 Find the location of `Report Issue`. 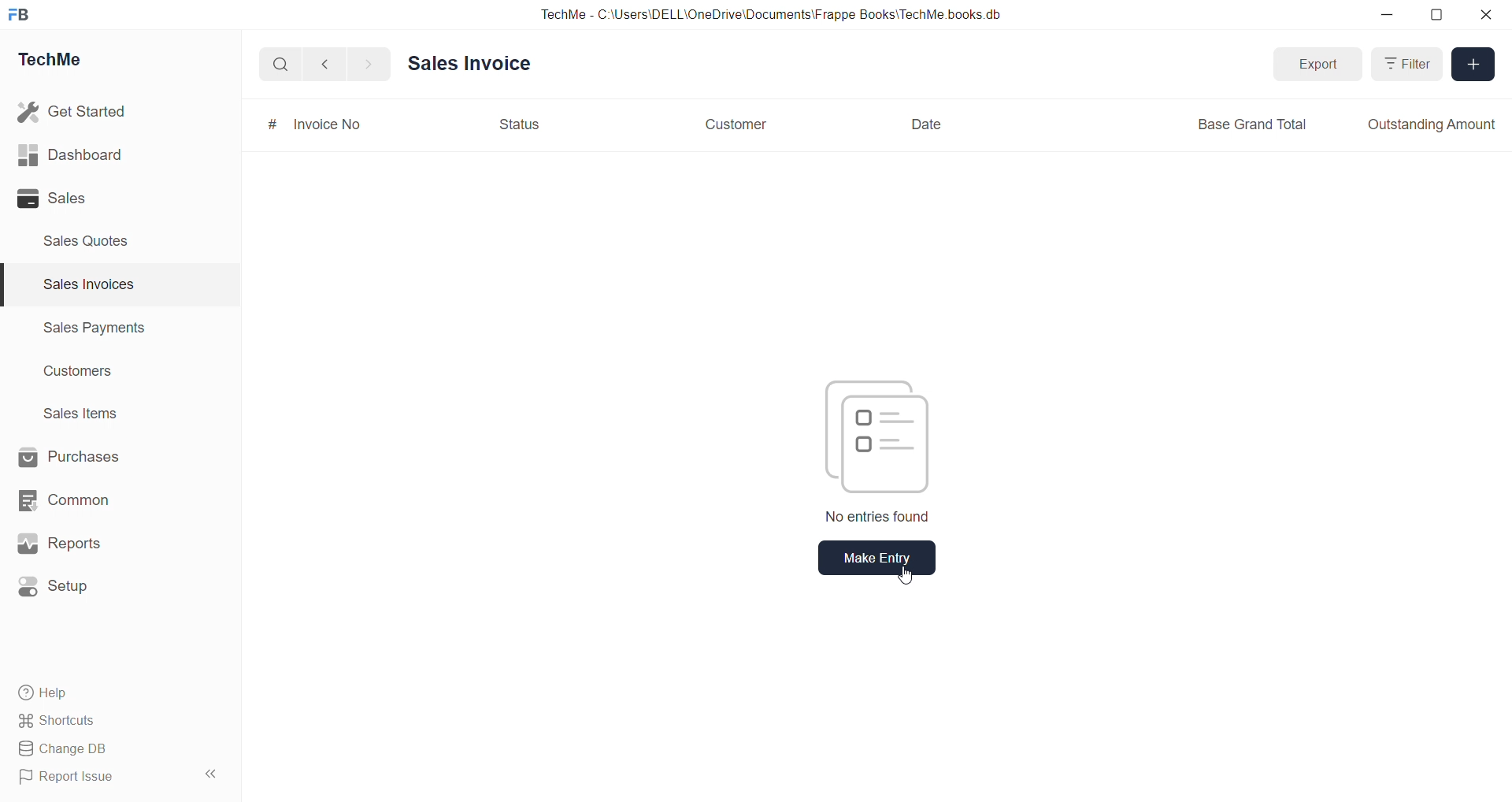

Report Issue is located at coordinates (71, 774).